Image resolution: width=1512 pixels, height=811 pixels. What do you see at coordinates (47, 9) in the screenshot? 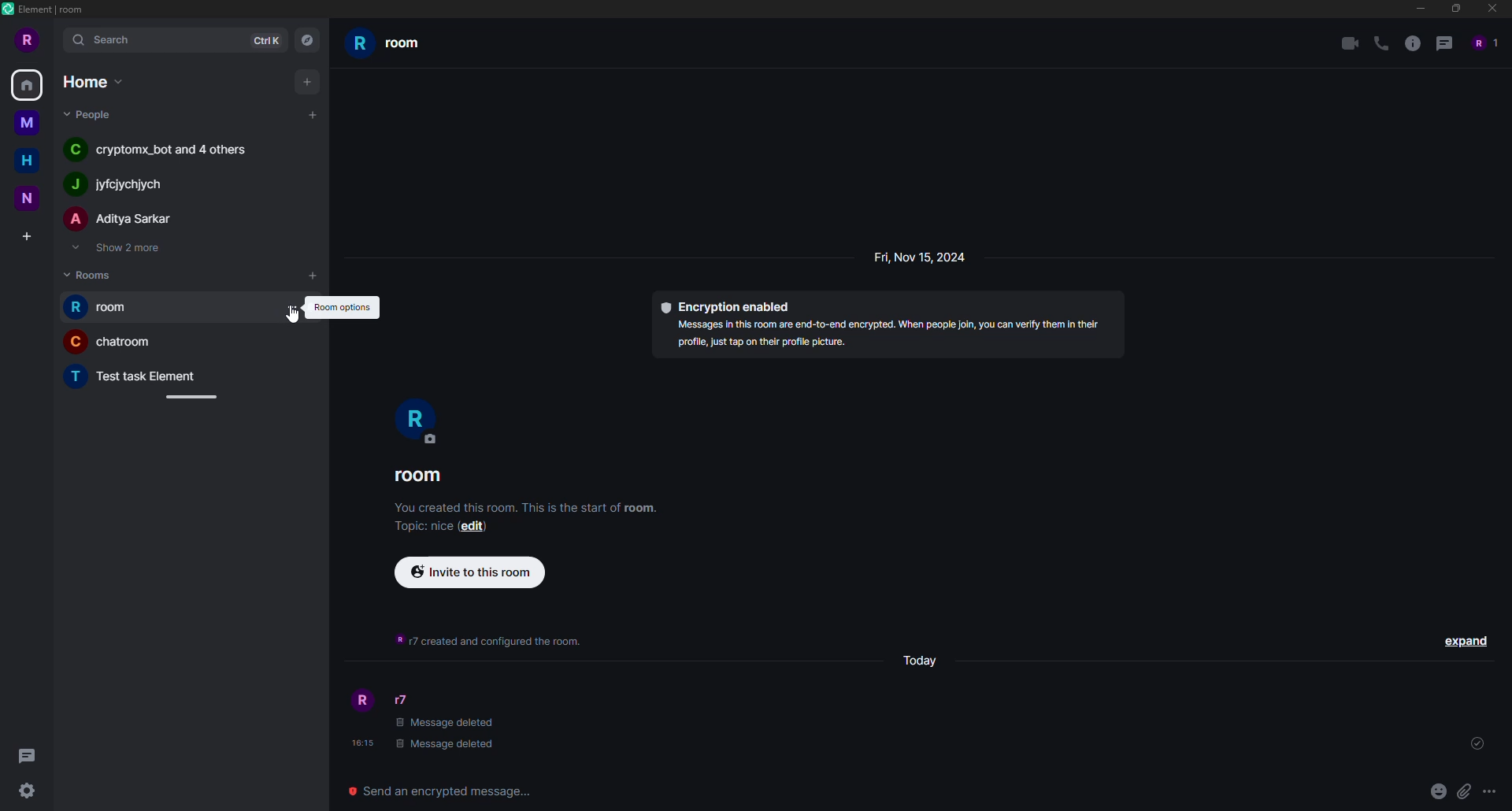
I see `element` at bounding box center [47, 9].